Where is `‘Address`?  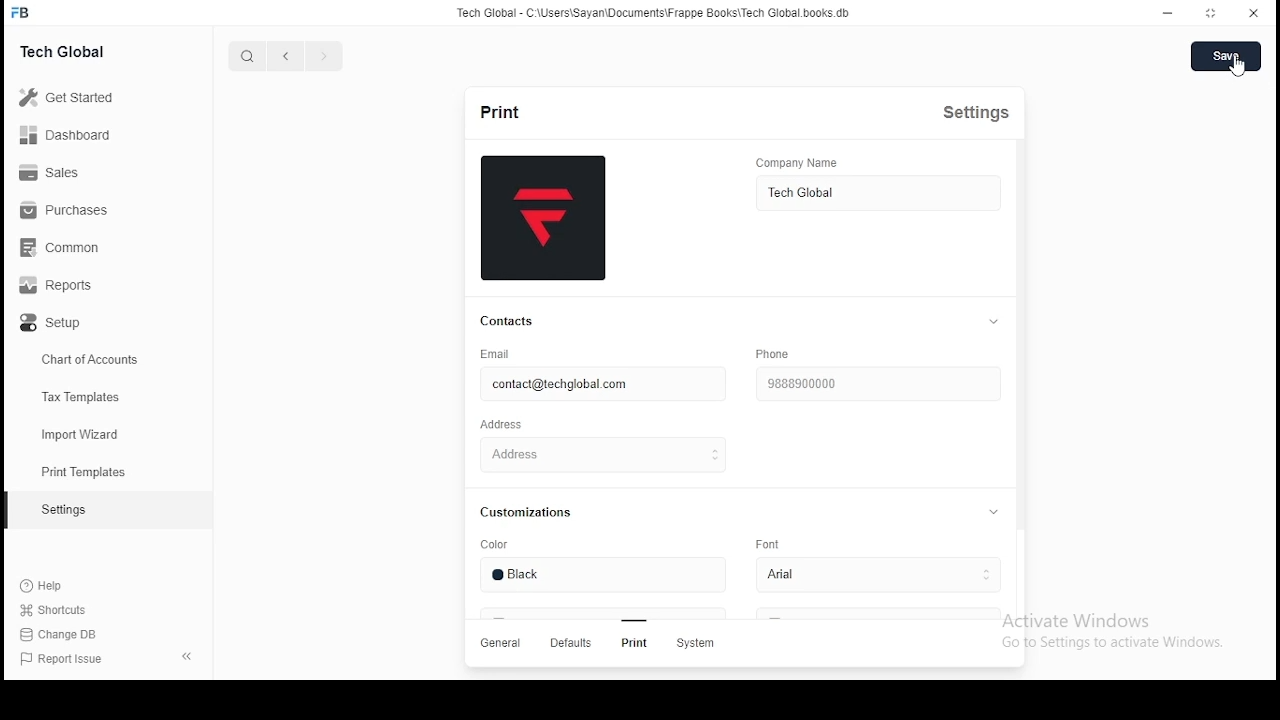
‘Address is located at coordinates (508, 426).